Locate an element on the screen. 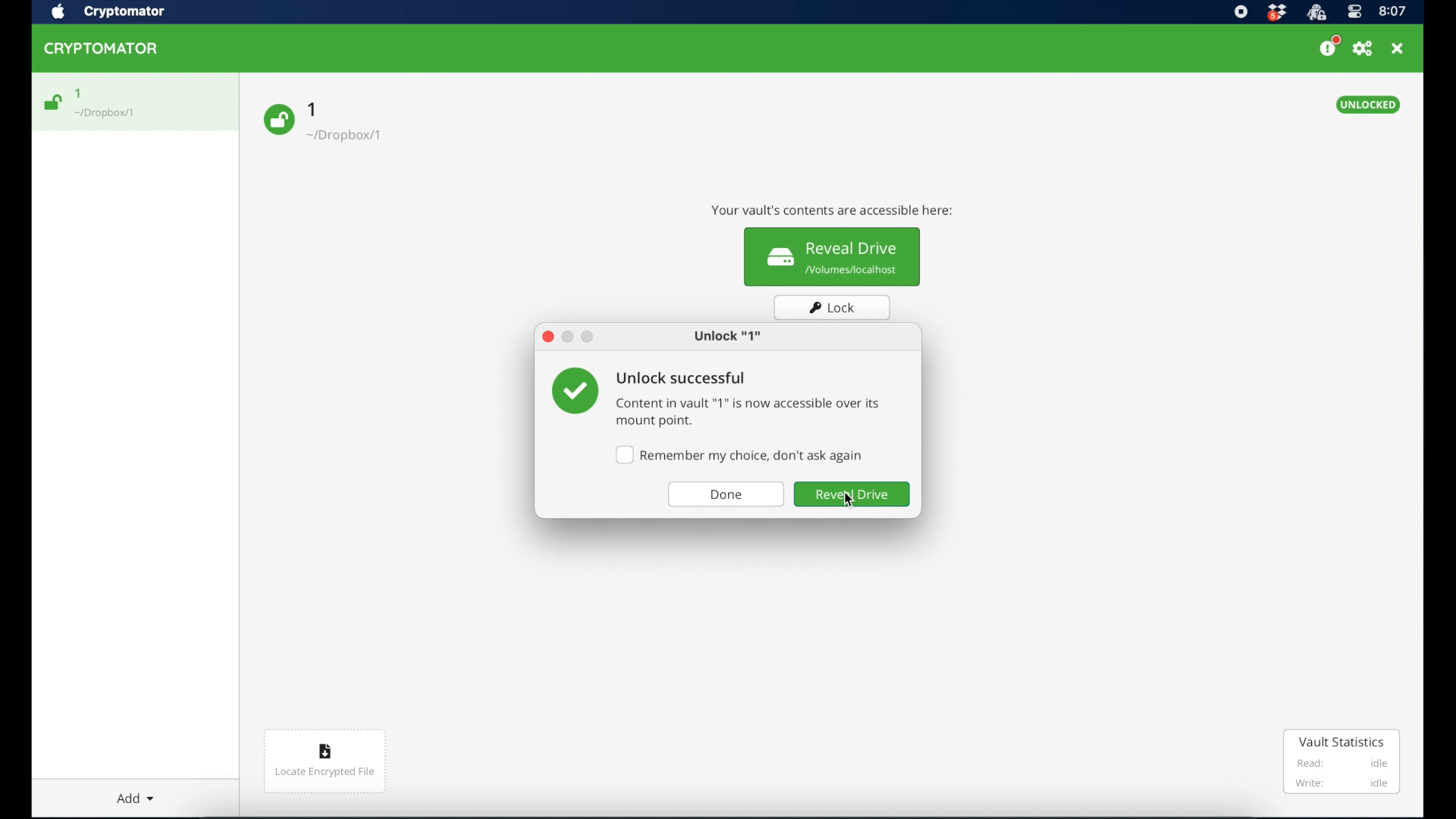 This screenshot has width=1456, height=819. screen recorder icon is located at coordinates (1241, 11).